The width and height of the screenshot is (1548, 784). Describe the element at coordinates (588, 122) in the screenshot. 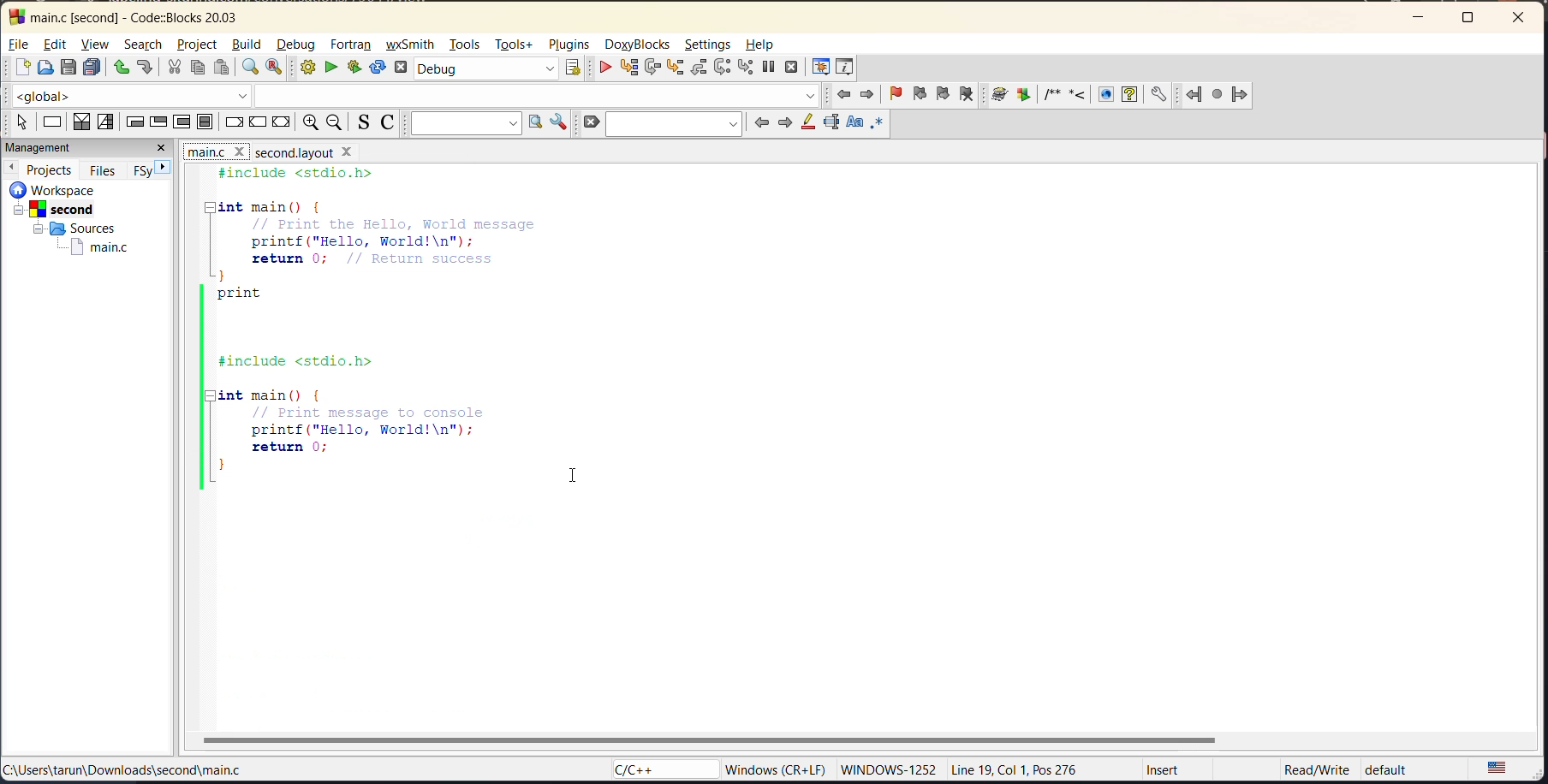

I see `clear` at that location.